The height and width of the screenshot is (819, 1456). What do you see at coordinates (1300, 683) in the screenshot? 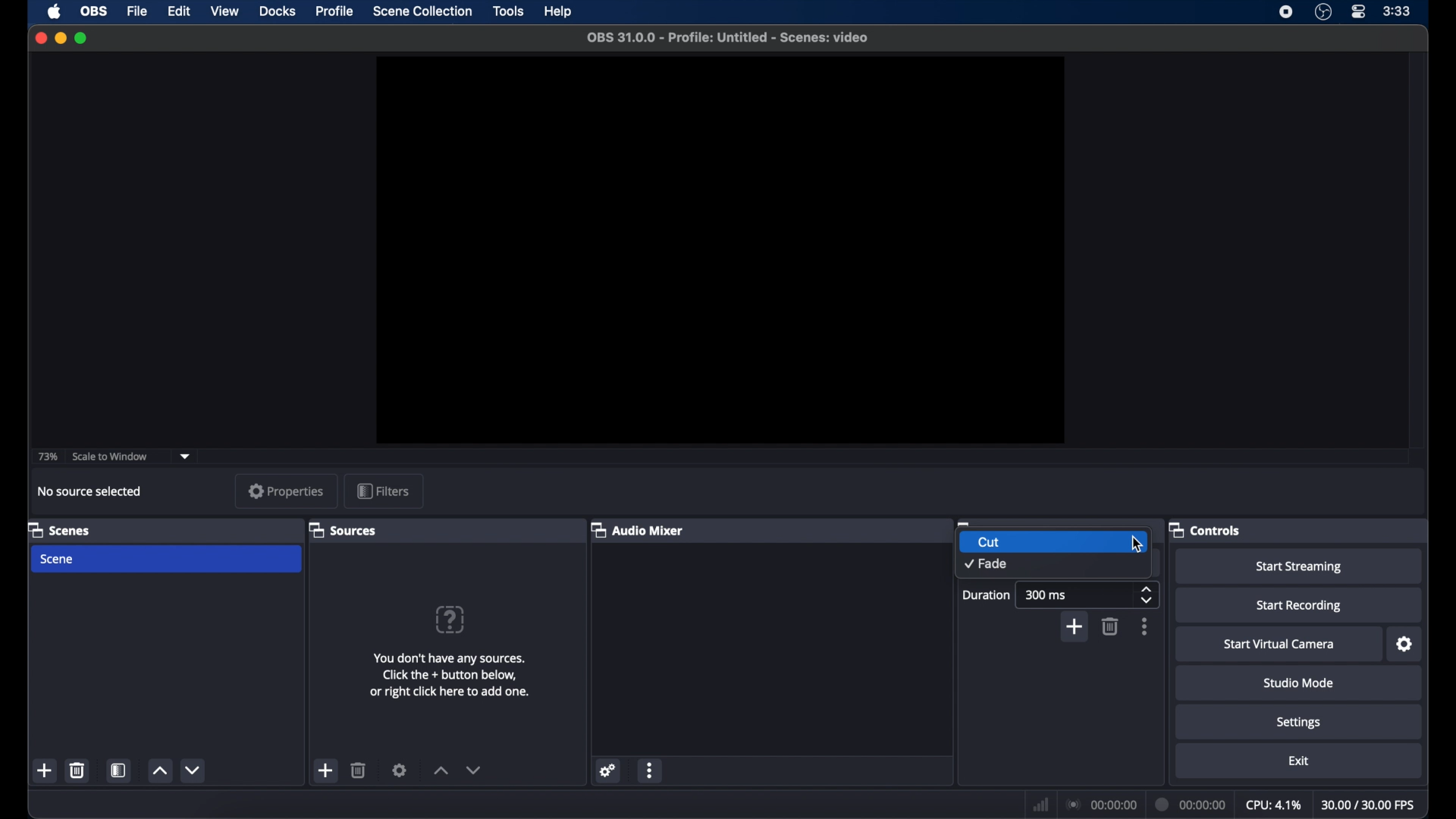
I see `studio mode` at bounding box center [1300, 683].